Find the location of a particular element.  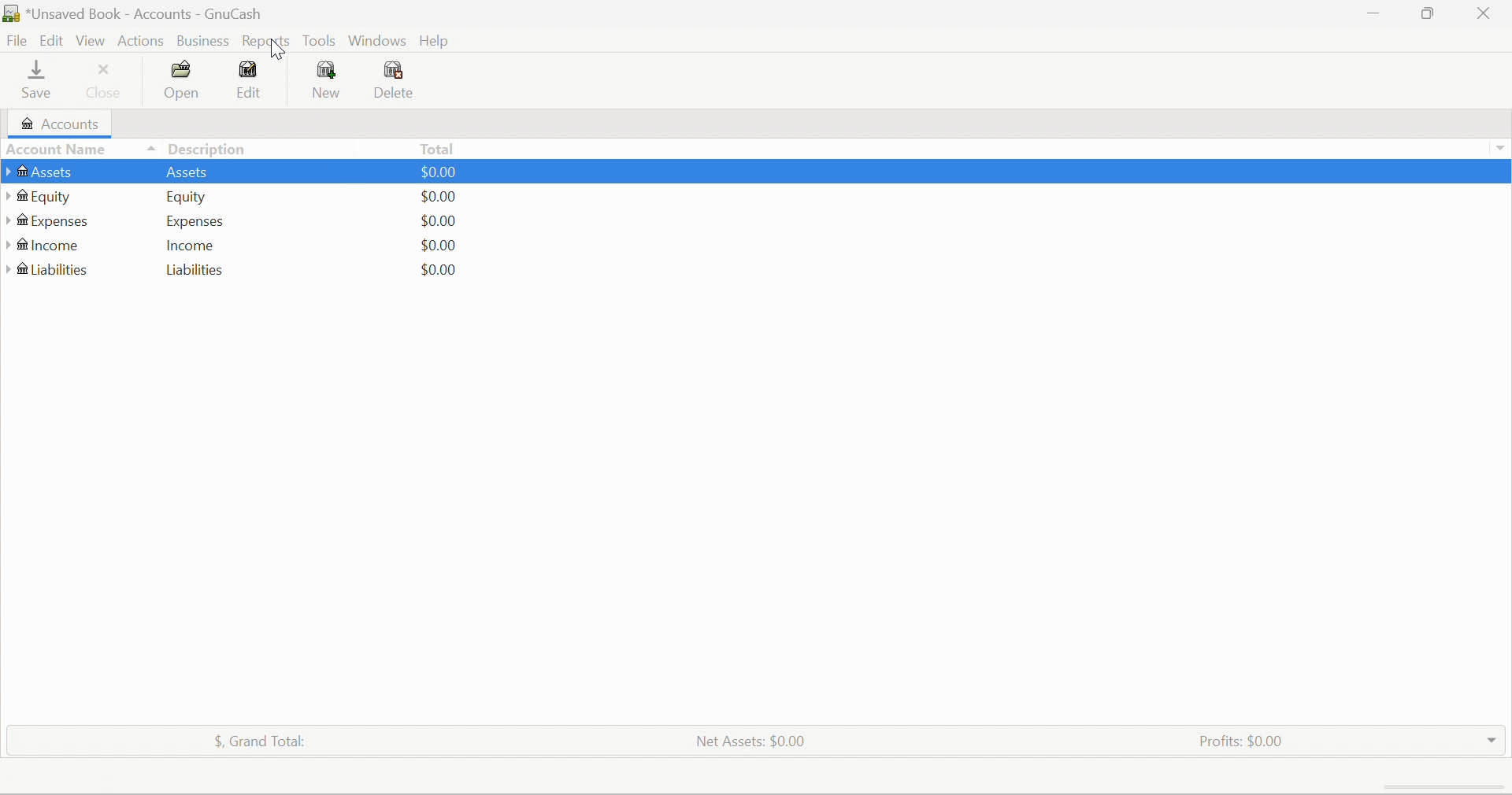

Tools is located at coordinates (318, 39).